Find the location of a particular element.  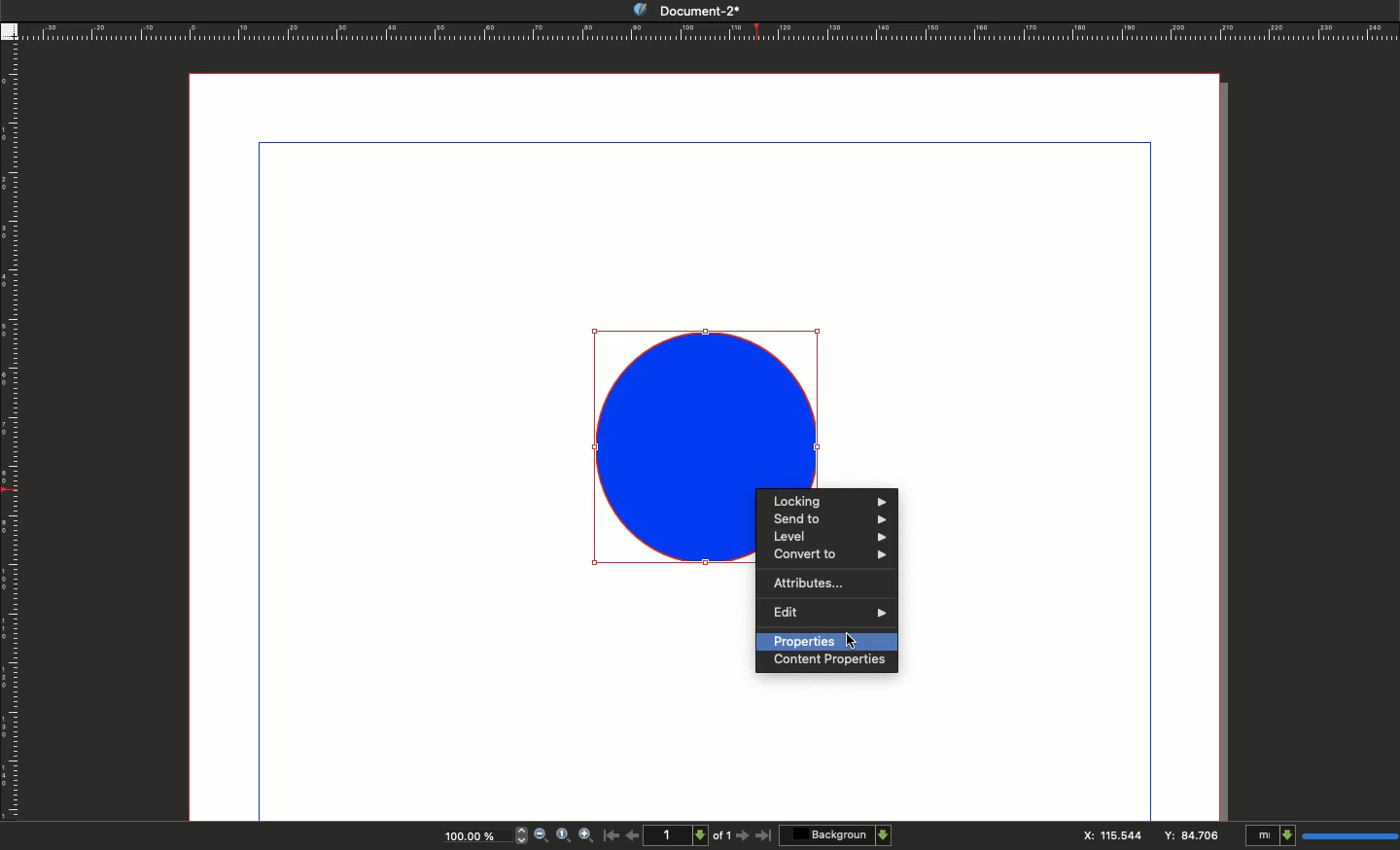

zoom in and out is located at coordinates (517, 834).